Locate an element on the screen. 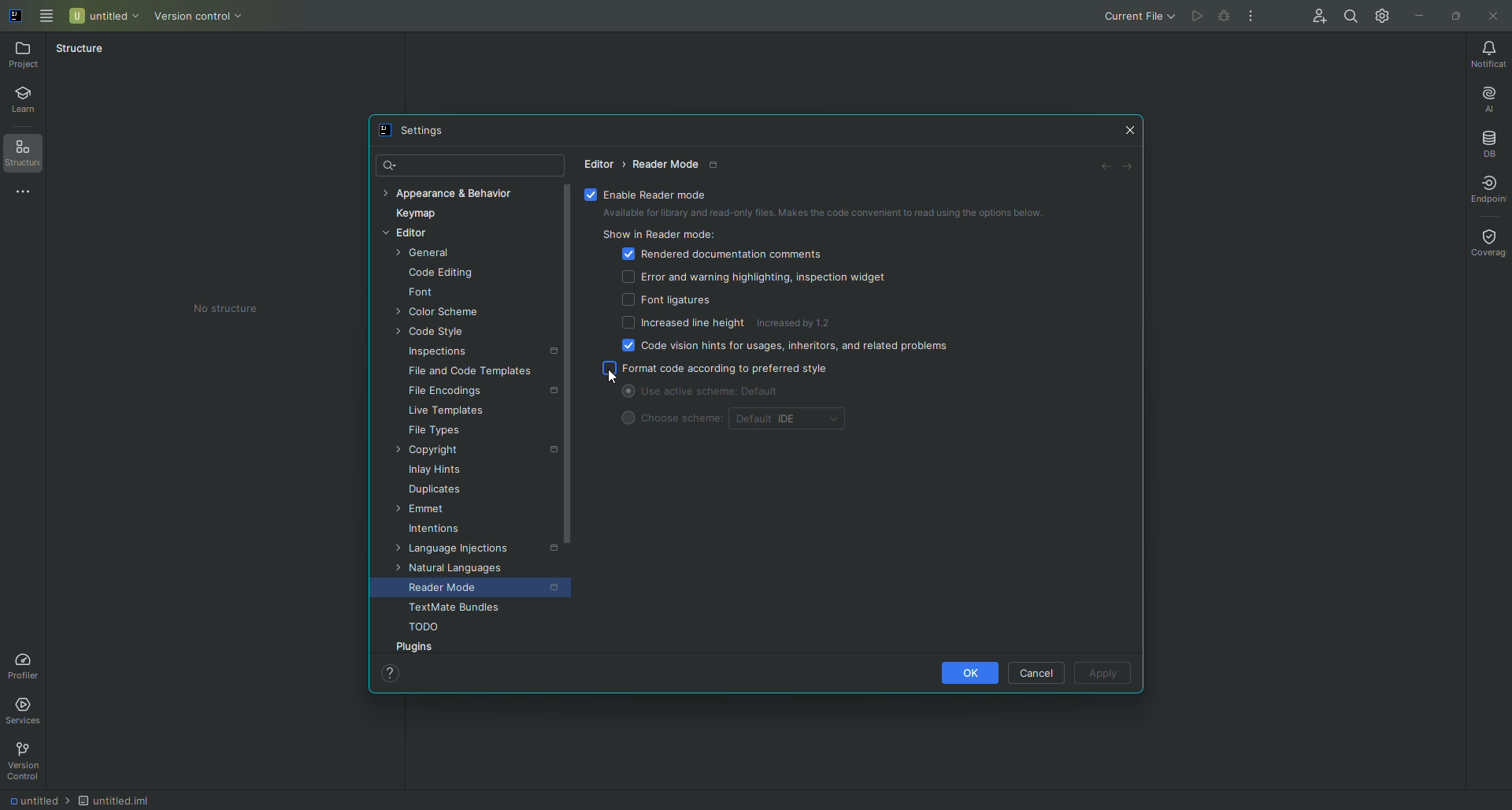 Image resolution: width=1512 pixels, height=810 pixels. Live templates is located at coordinates (442, 412).